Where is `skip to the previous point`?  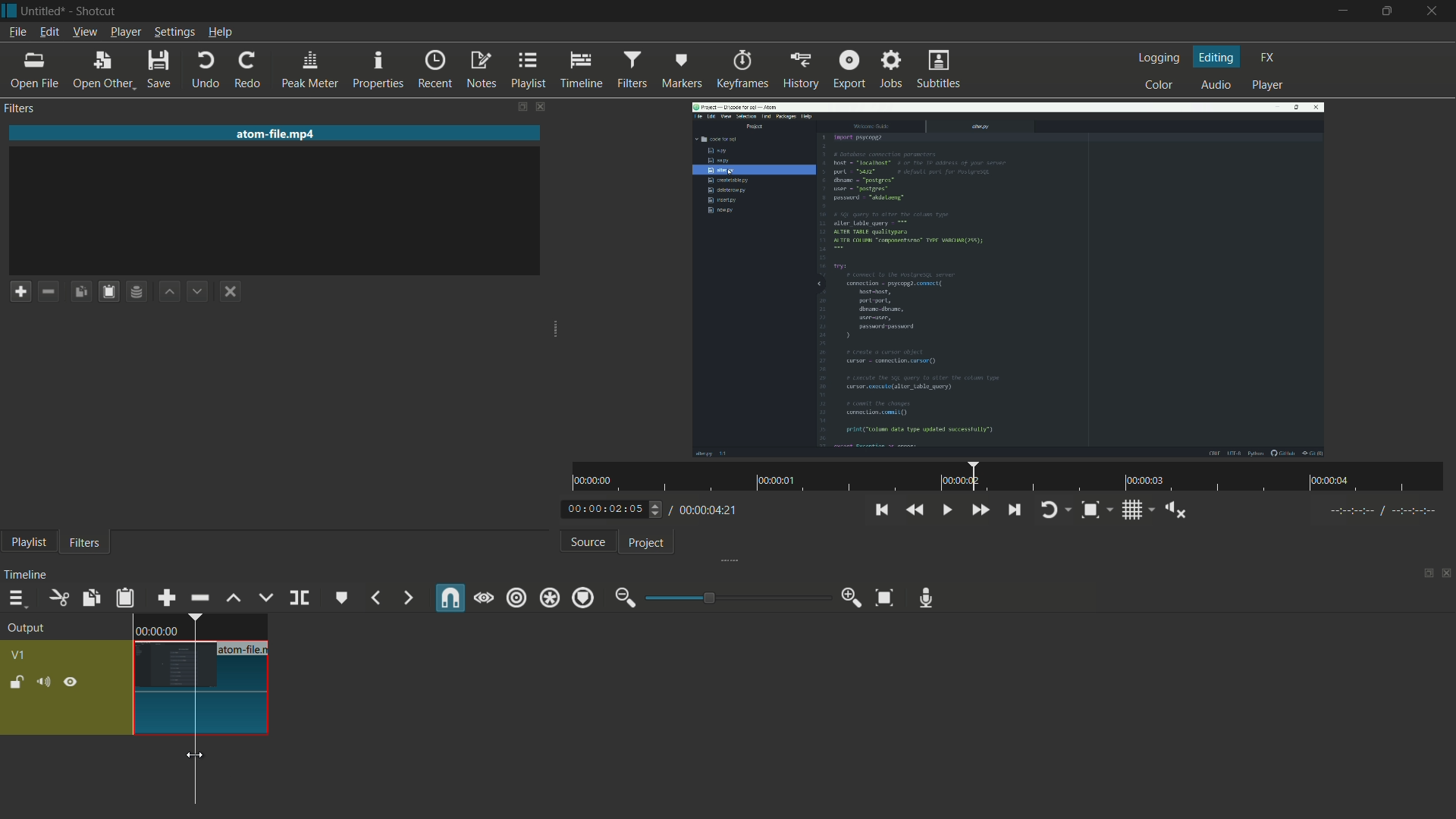
skip to the previous point is located at coordinates (886, 510).